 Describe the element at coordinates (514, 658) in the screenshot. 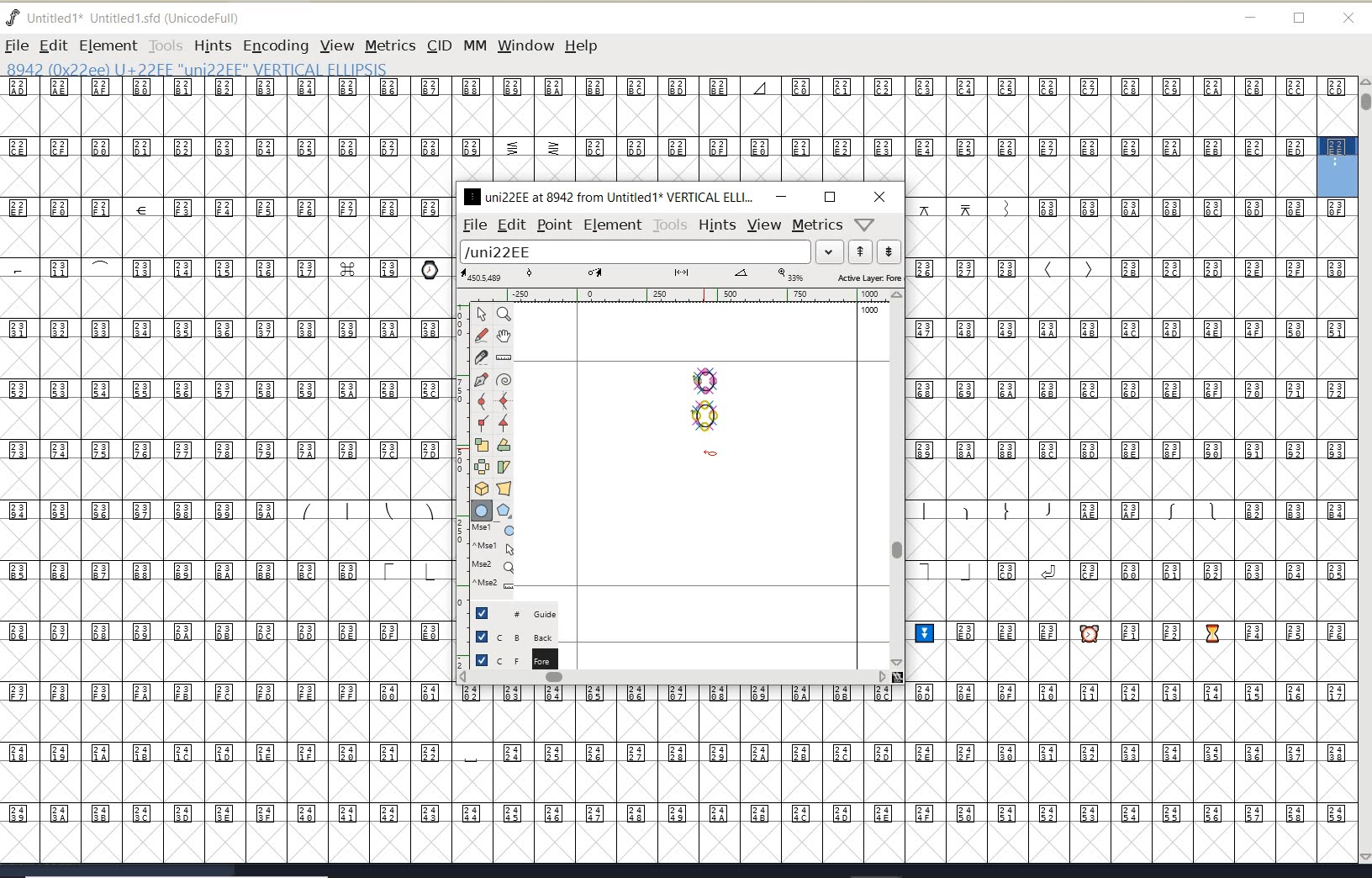

I see `foreground` at that location.